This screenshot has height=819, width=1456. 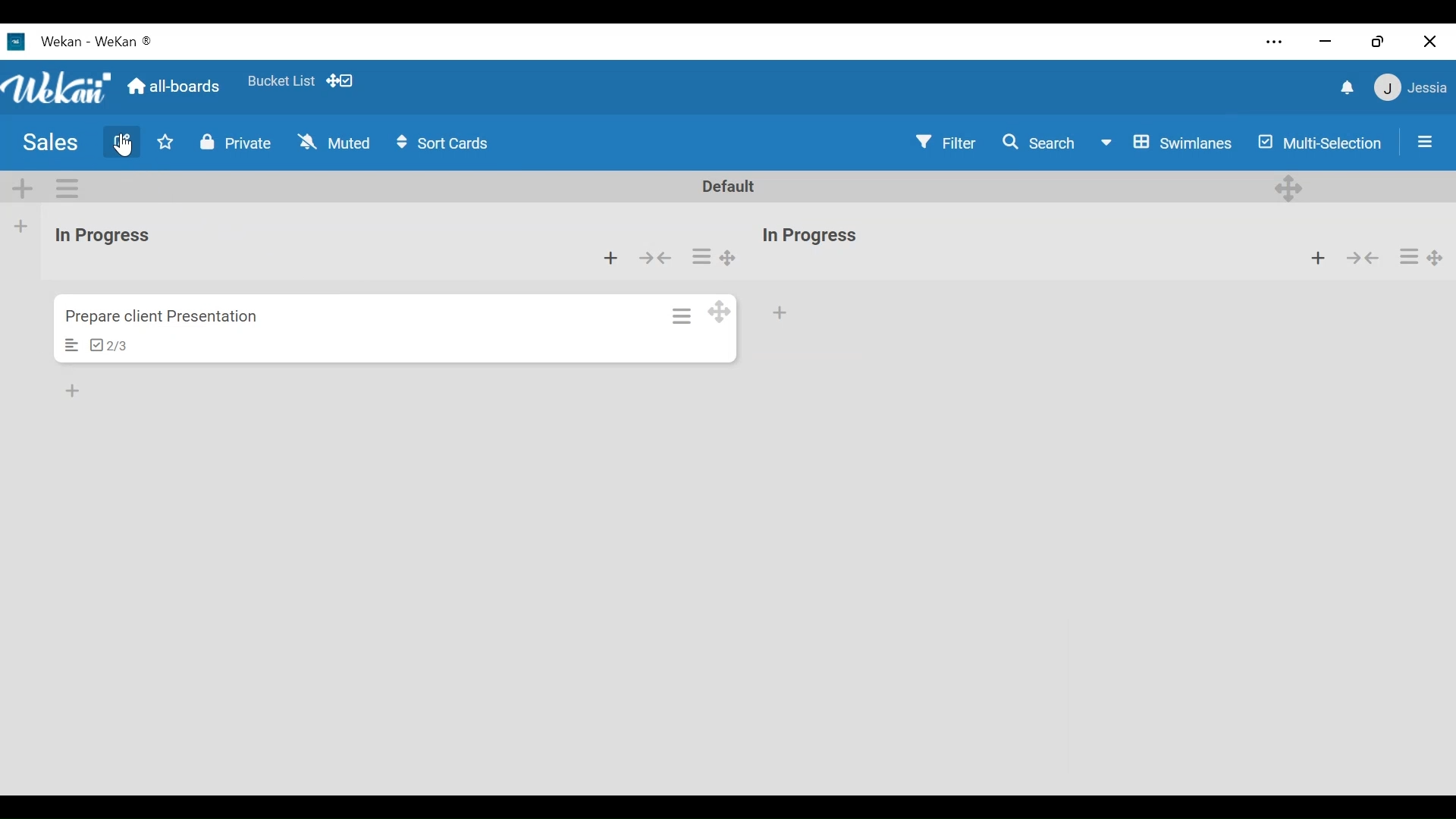 What do you see at coordinates (74, 388) in the screenshot?
I see `Add card to bottom of the list` at bounding box center [74, 388].